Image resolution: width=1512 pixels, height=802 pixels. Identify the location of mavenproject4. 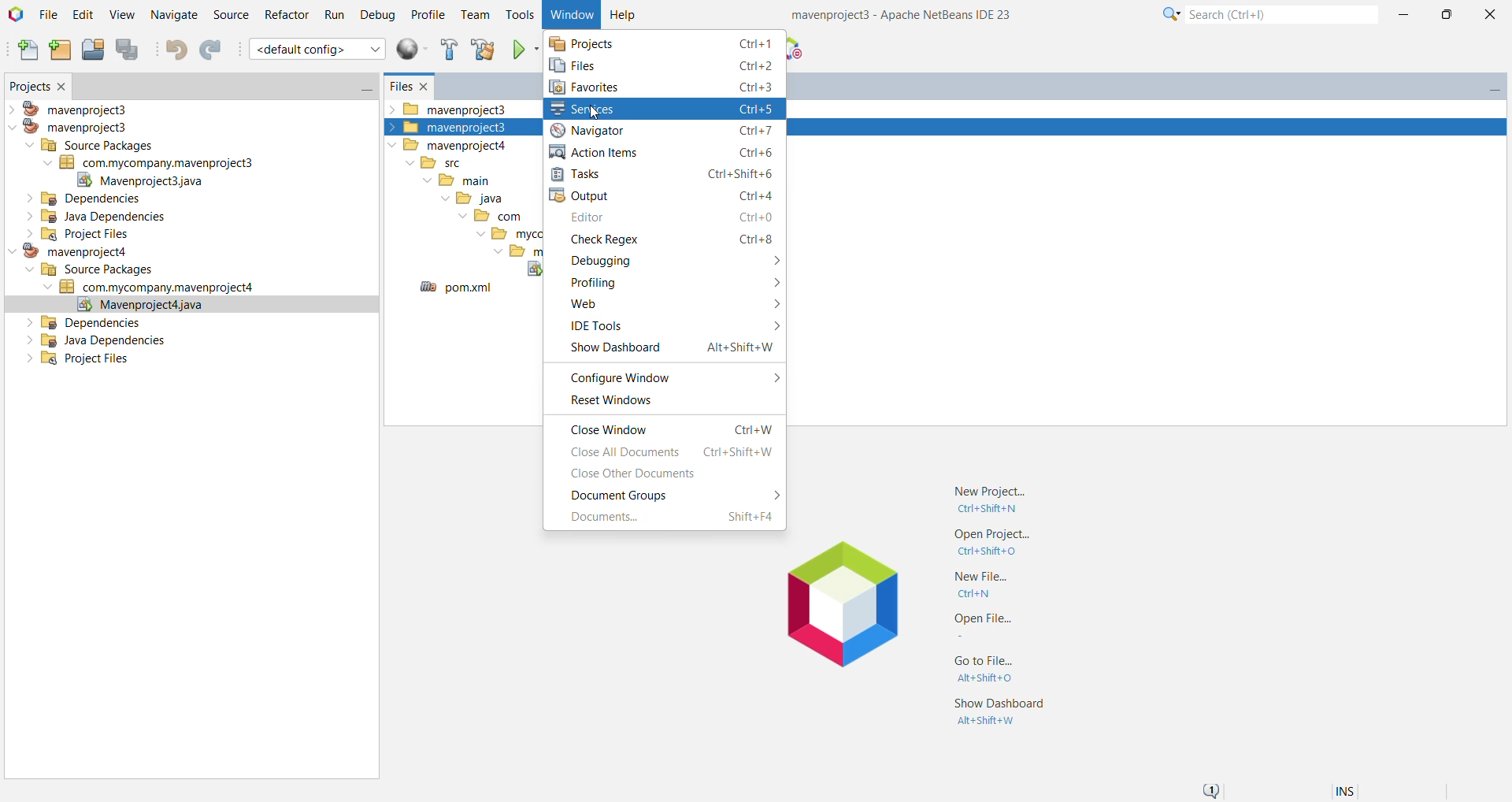
(66, 253).